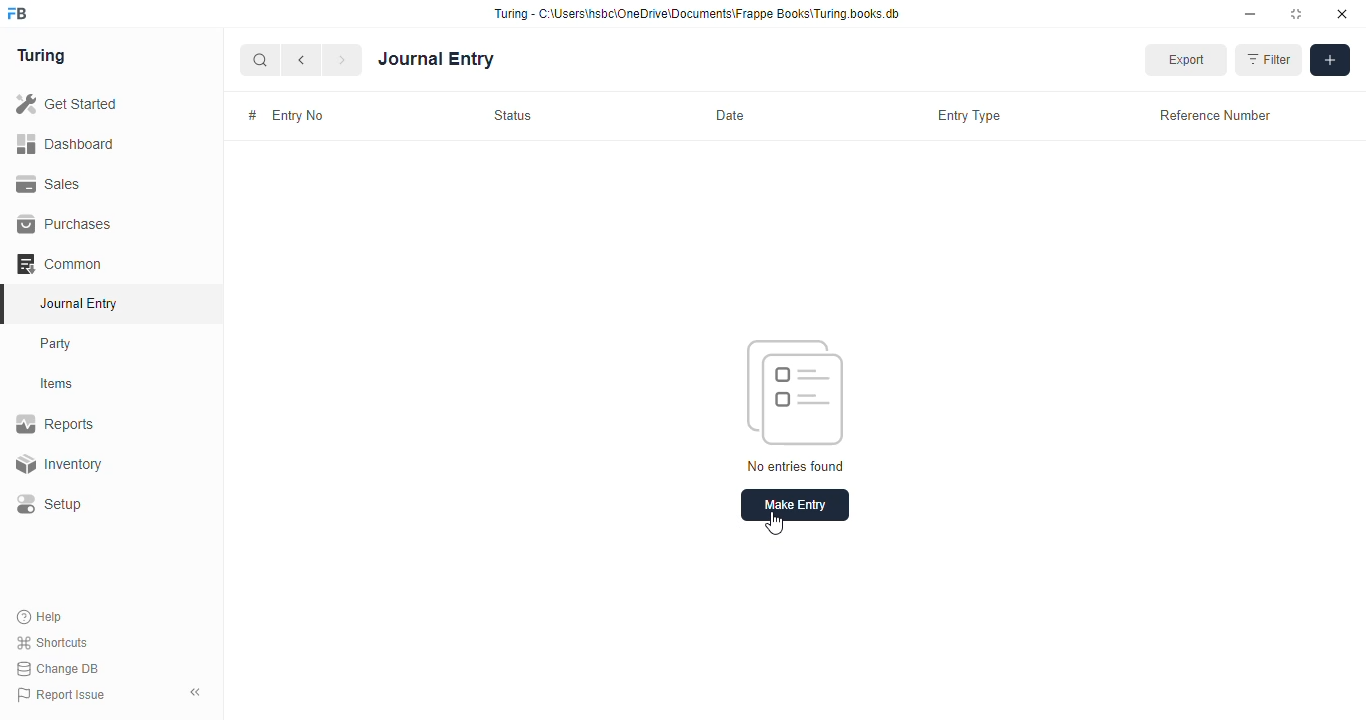 The width and height of the screenshot is (1366, 720). Describe the element at coordinates (299, 116) in the screenshot. I see `entry no` at that location.